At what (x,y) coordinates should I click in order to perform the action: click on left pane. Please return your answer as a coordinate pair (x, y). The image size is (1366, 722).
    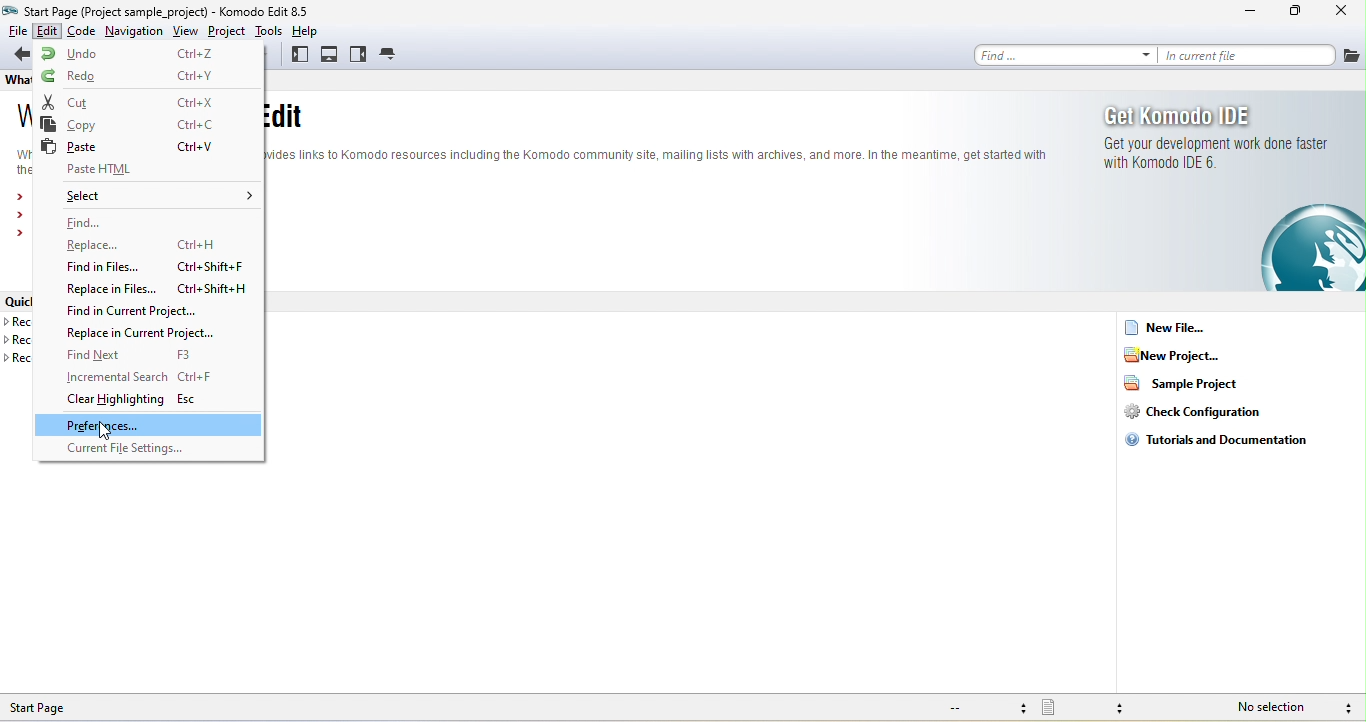
    Looking at the image, I should click on (298, 56).